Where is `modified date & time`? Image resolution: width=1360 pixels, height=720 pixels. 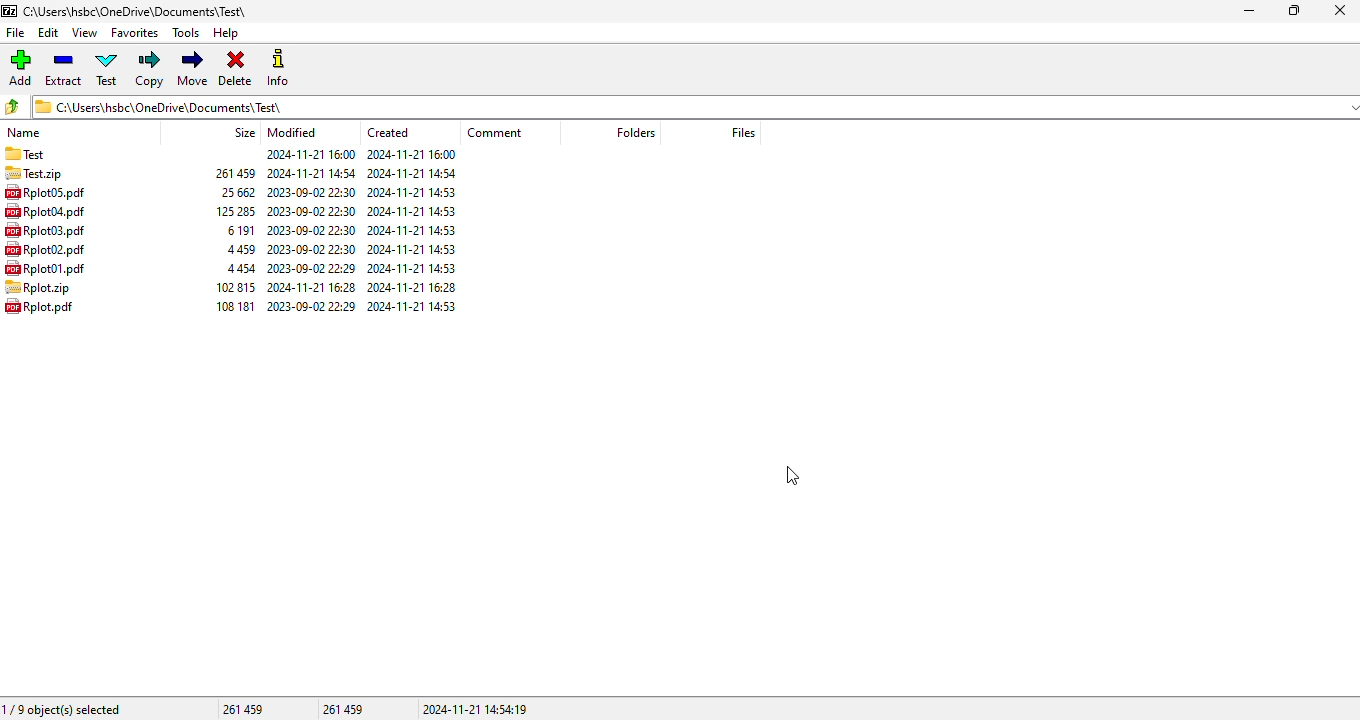
modified date & time is located at coordinates (311, 306).